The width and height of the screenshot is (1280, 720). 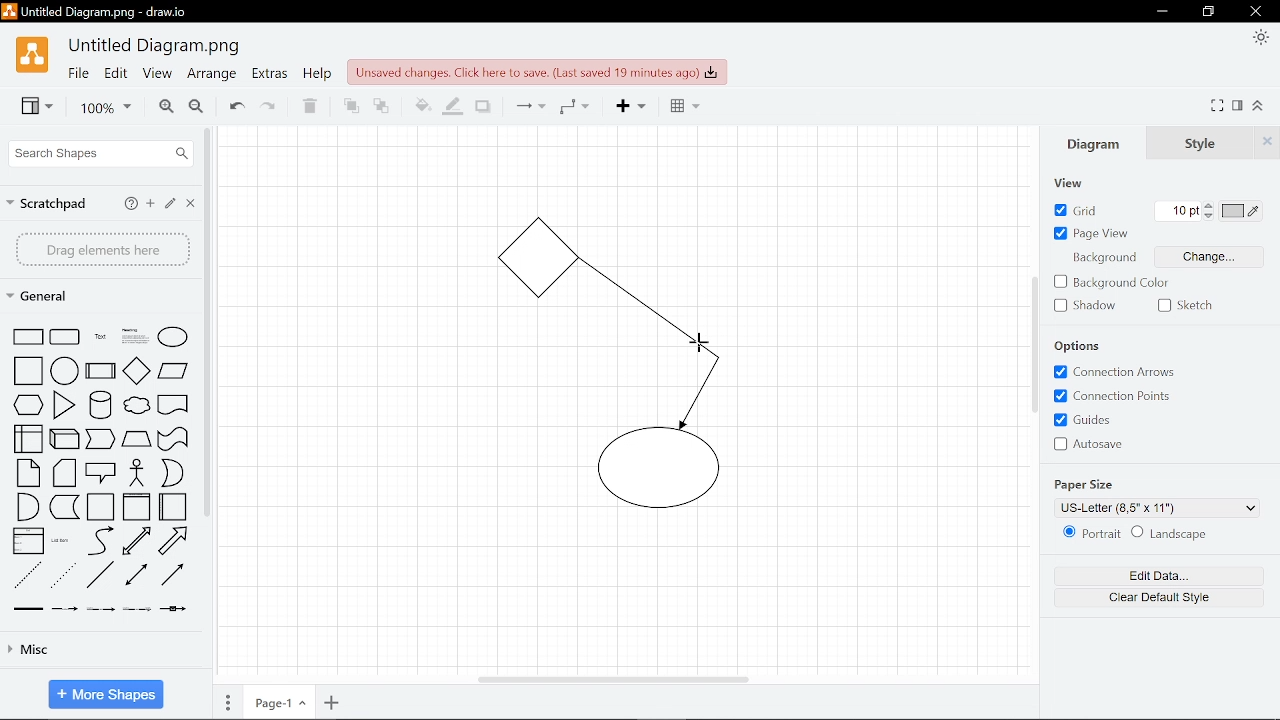 I want to click on Diagram, so click(x=1092, y=143).